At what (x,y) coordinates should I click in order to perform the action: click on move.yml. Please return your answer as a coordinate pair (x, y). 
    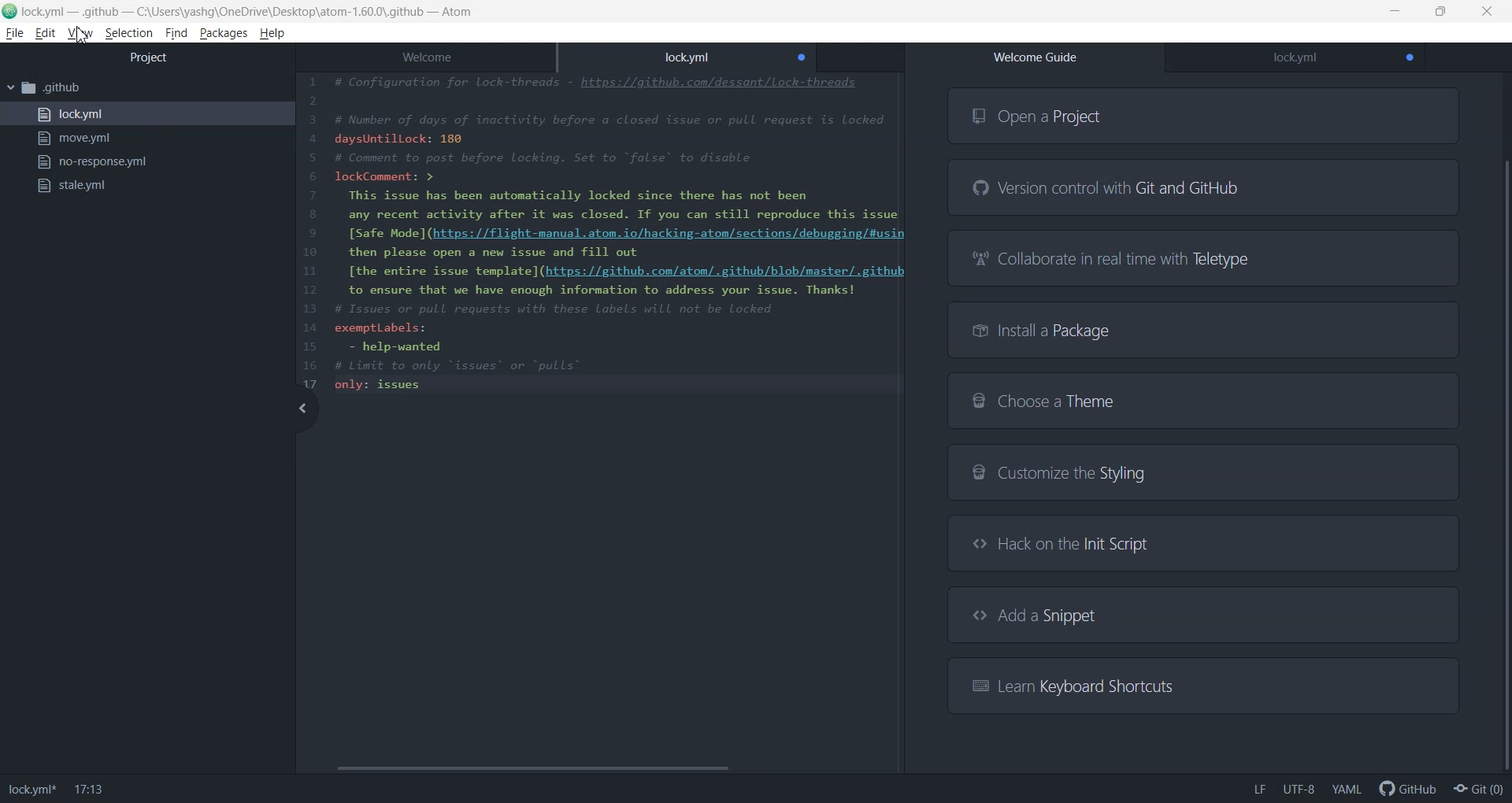
    Looking at the image, I should click on (146, 139).